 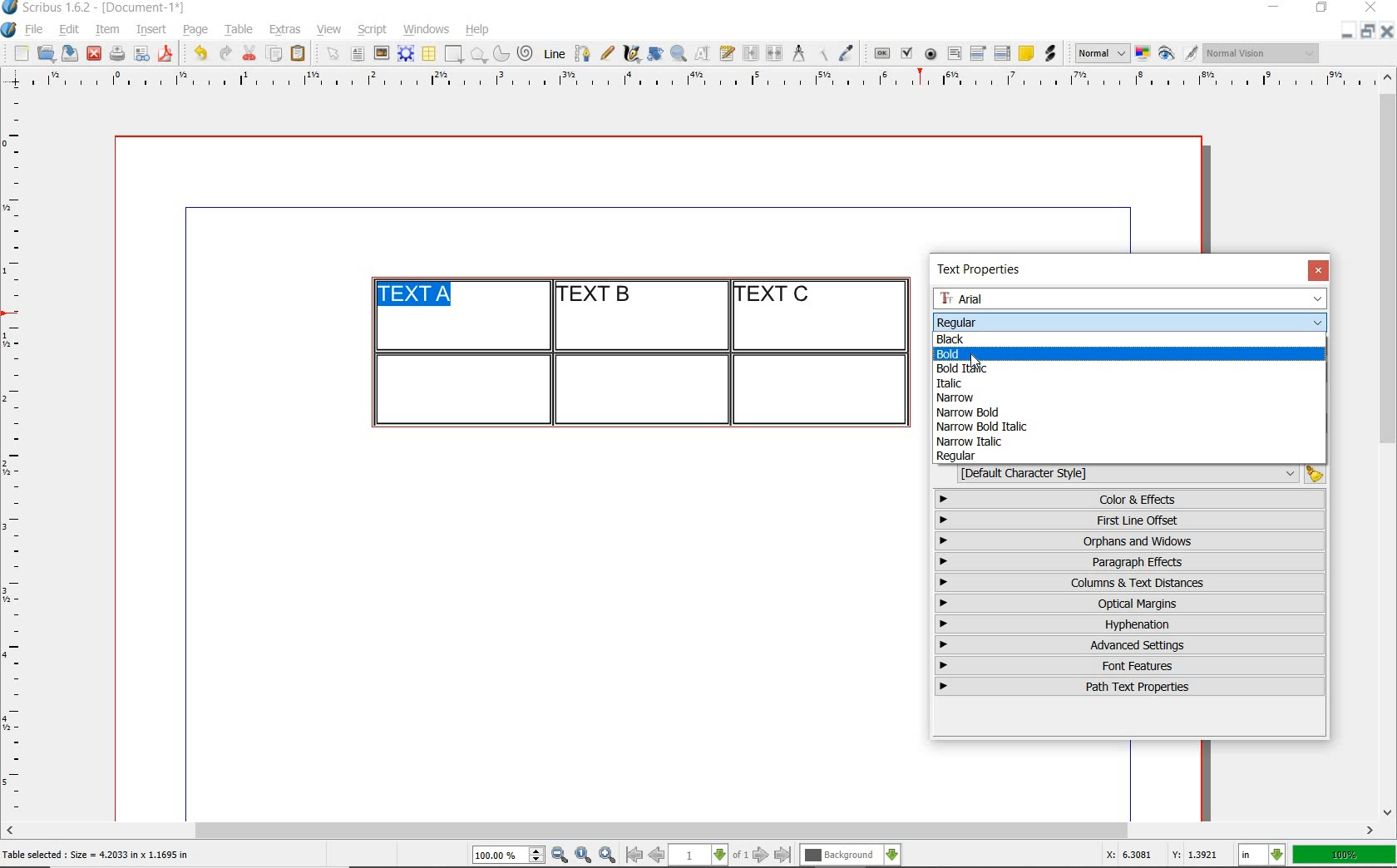 I want to click on bold, so click(x=969, y=353).